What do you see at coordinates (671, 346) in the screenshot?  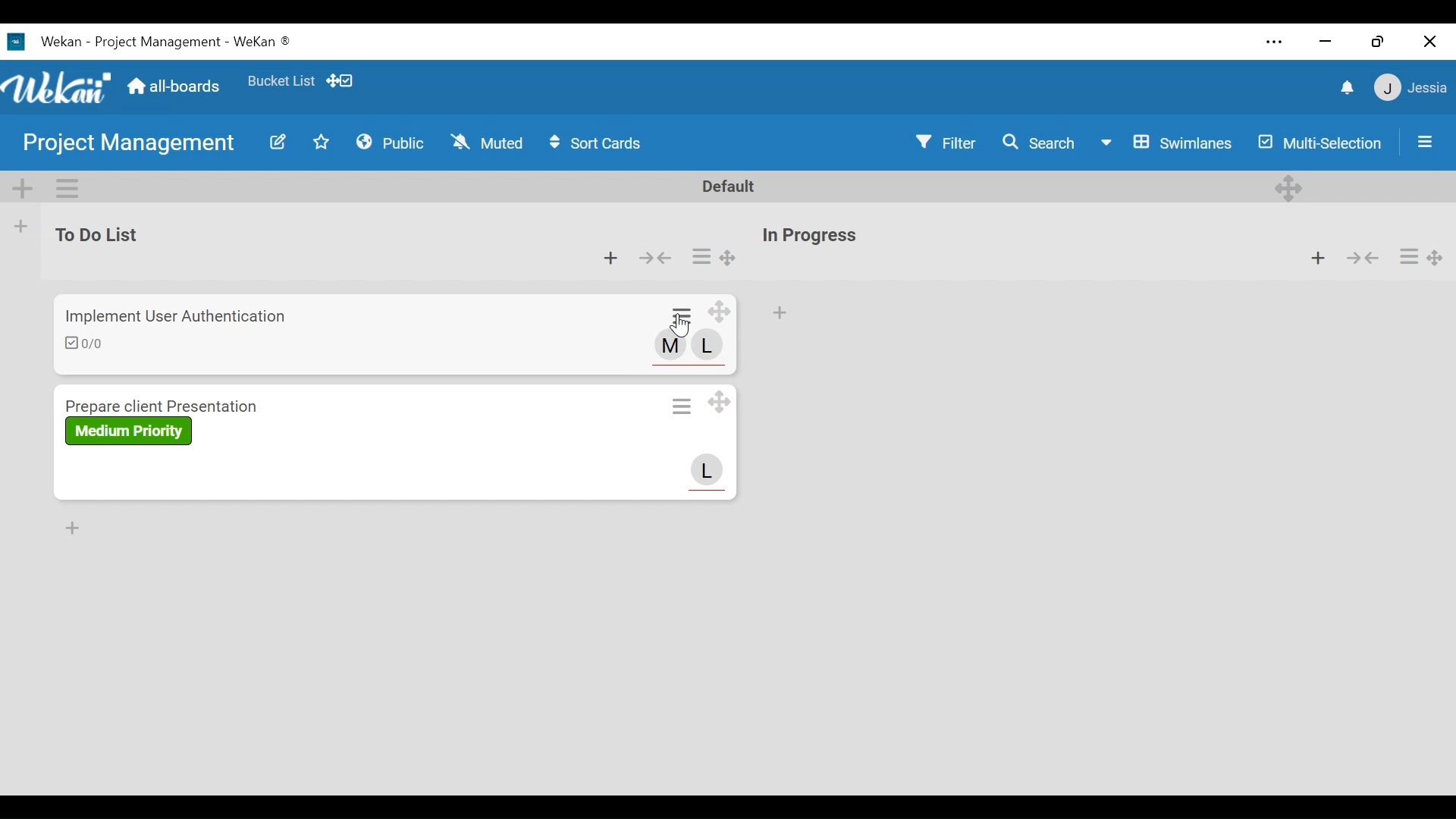 I see `Member` at bounding box center [671, 346].